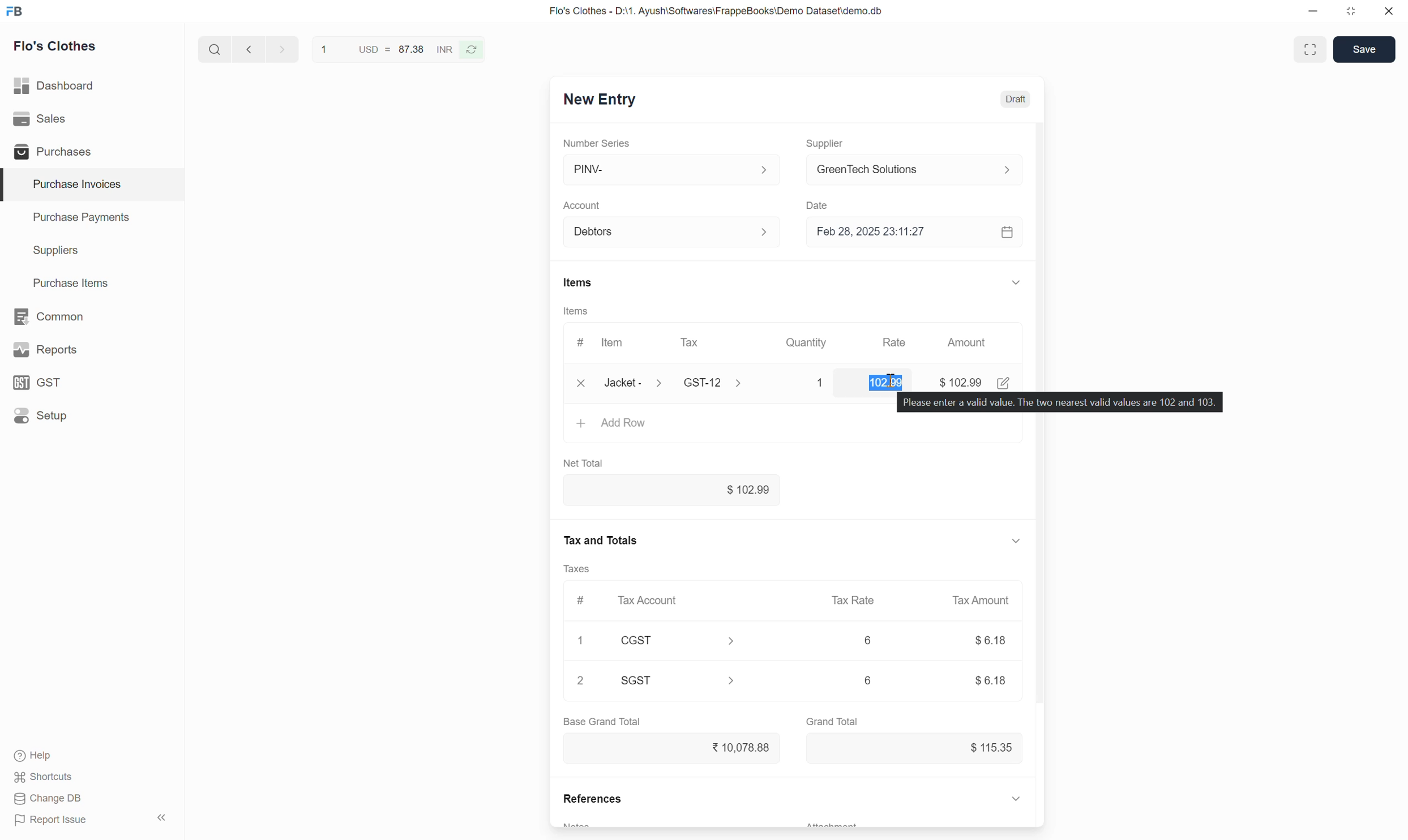  I want to click on Report Issue, so click(51, 820).